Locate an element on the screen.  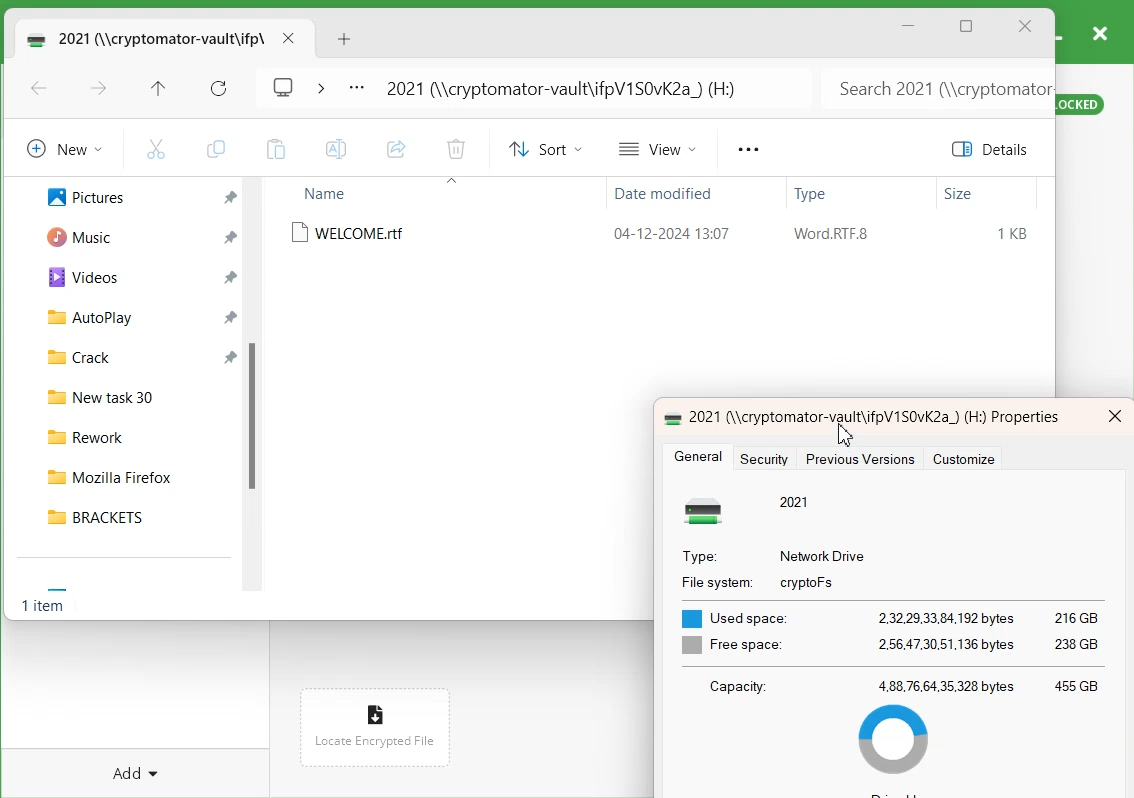
Delete is located at coordinates (455, 151).